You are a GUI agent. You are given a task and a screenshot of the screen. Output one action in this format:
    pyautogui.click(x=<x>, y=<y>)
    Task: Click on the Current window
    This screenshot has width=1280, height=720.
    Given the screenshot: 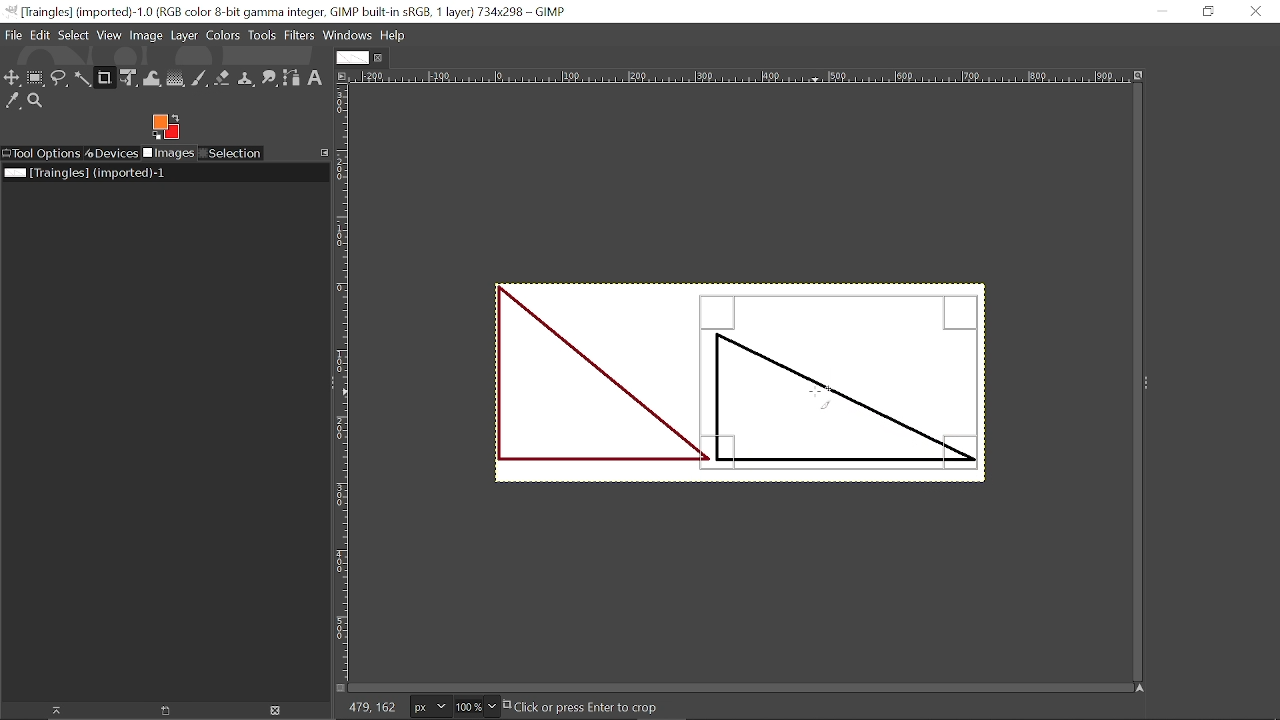 What is the action you would take?
    pyautogui.click(x=290, y=11)
    